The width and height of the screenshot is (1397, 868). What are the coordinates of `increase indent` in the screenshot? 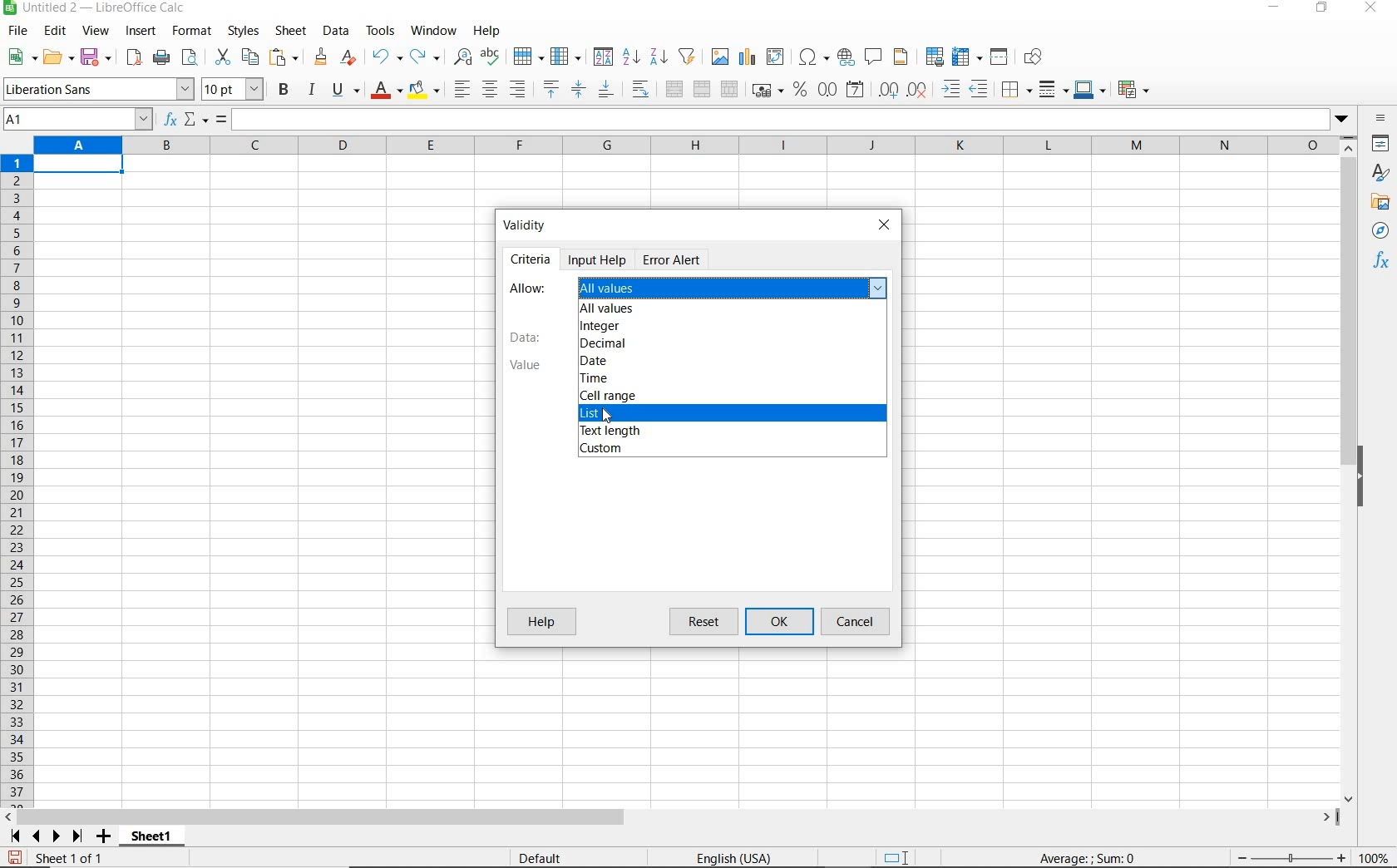 It's located at (952, 89).